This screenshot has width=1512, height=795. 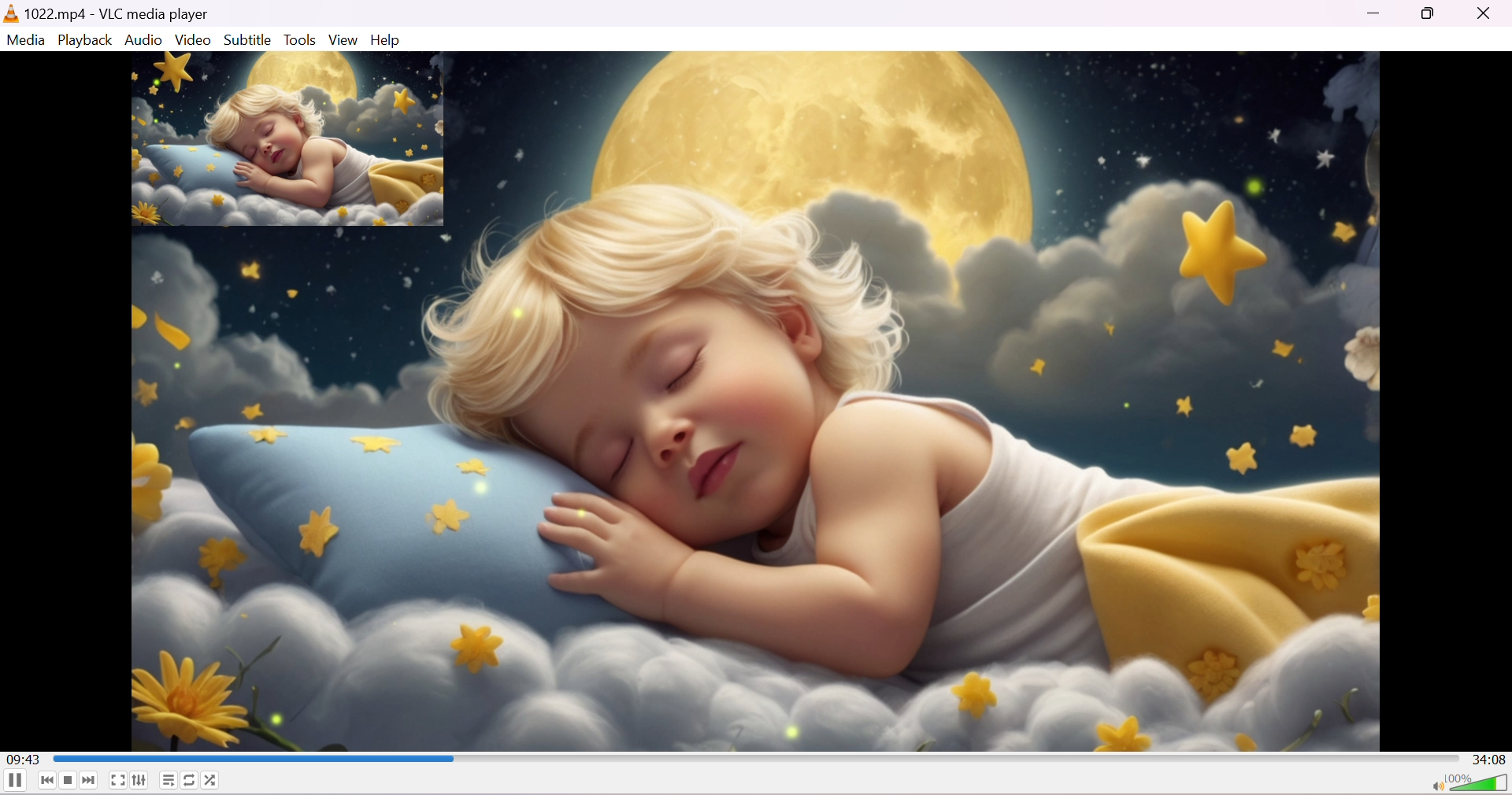 What do you see at coordinates (11, 13) in the screenshot?
I see `vlc media player` at bounding box center [11, 13].